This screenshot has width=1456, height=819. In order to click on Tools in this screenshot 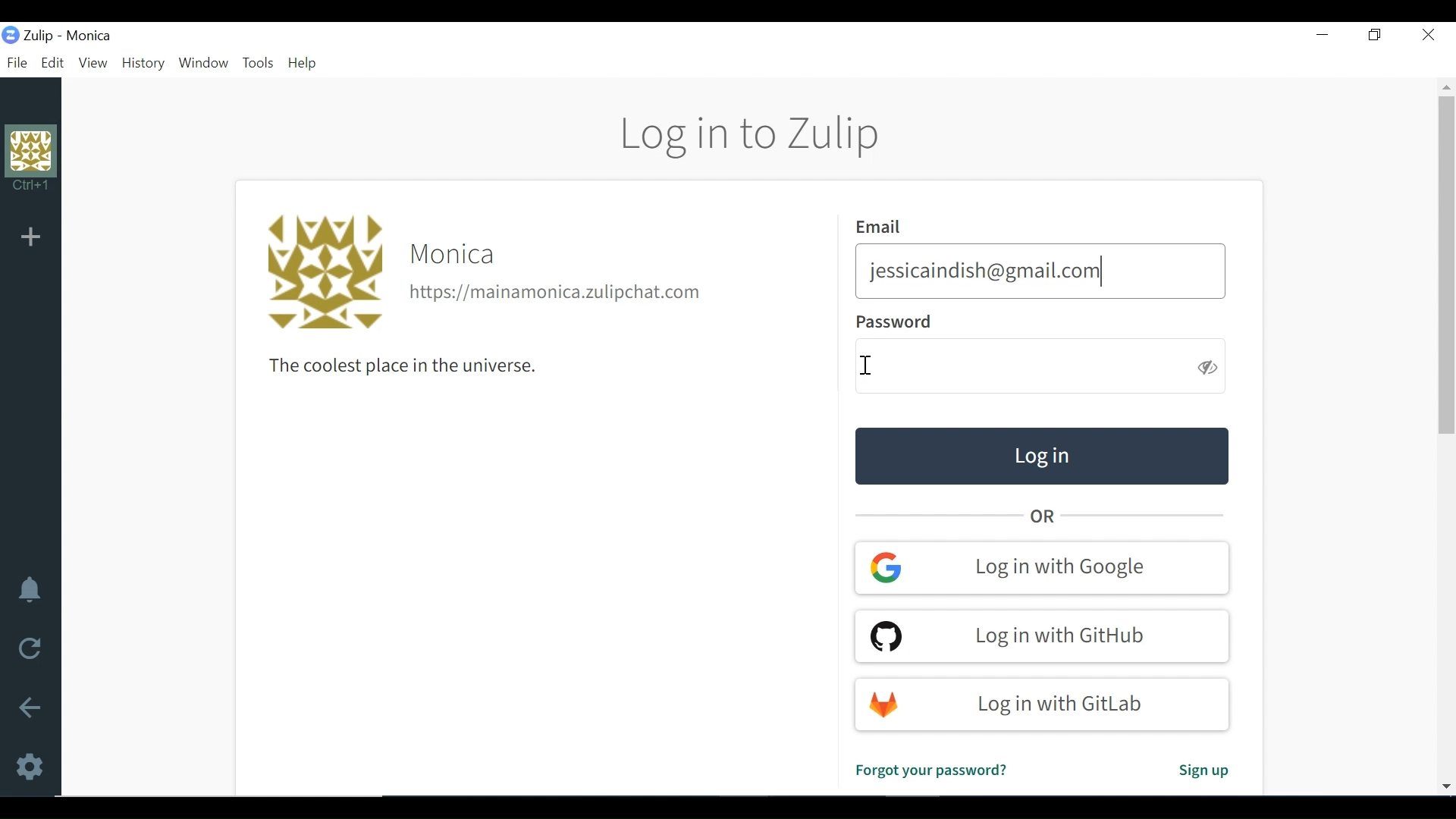, I will do `click(259, 64)`.